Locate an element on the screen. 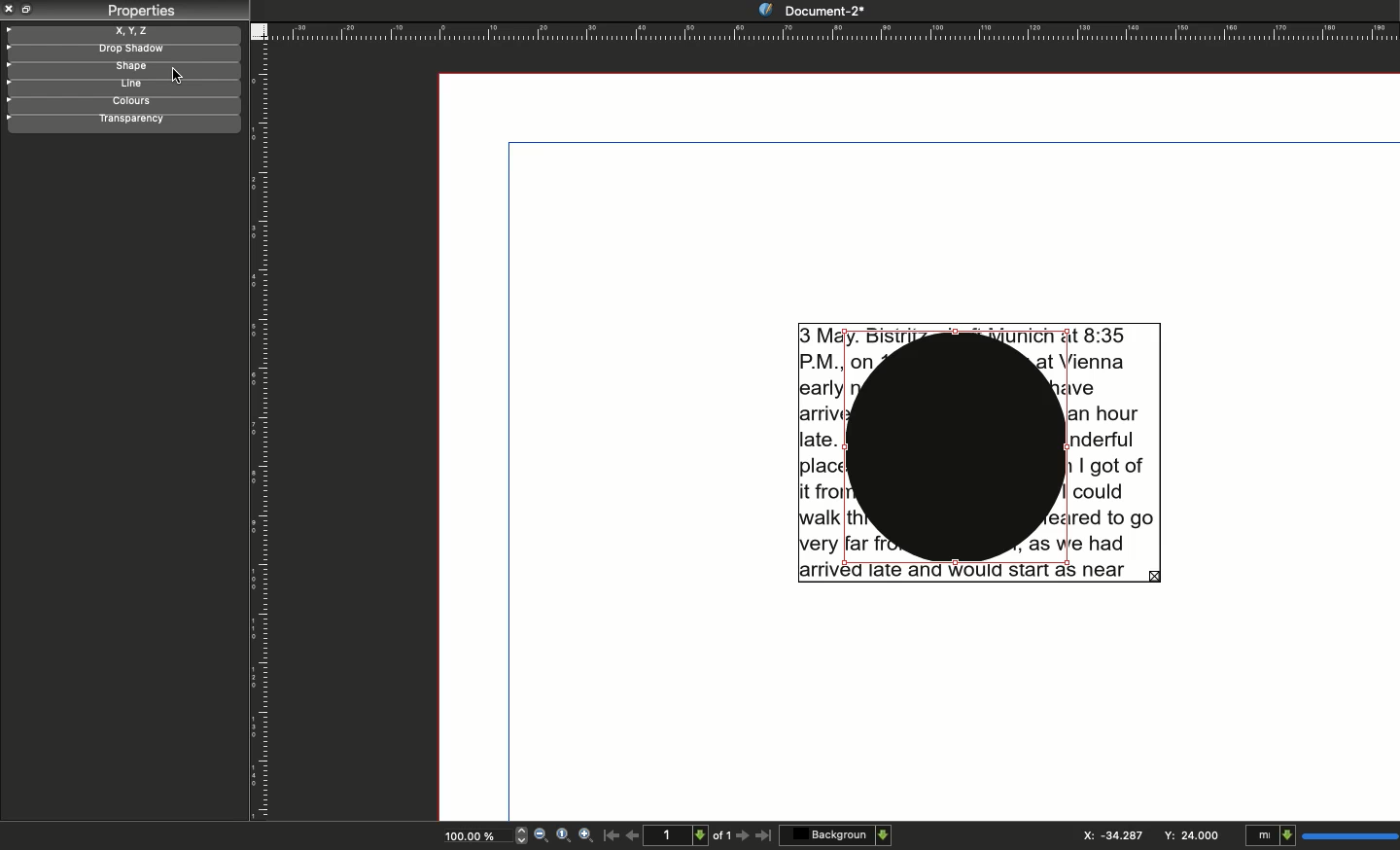 The width and height of the screenshot is (1400, 850). Ruler is located at coordinates (836, 30).